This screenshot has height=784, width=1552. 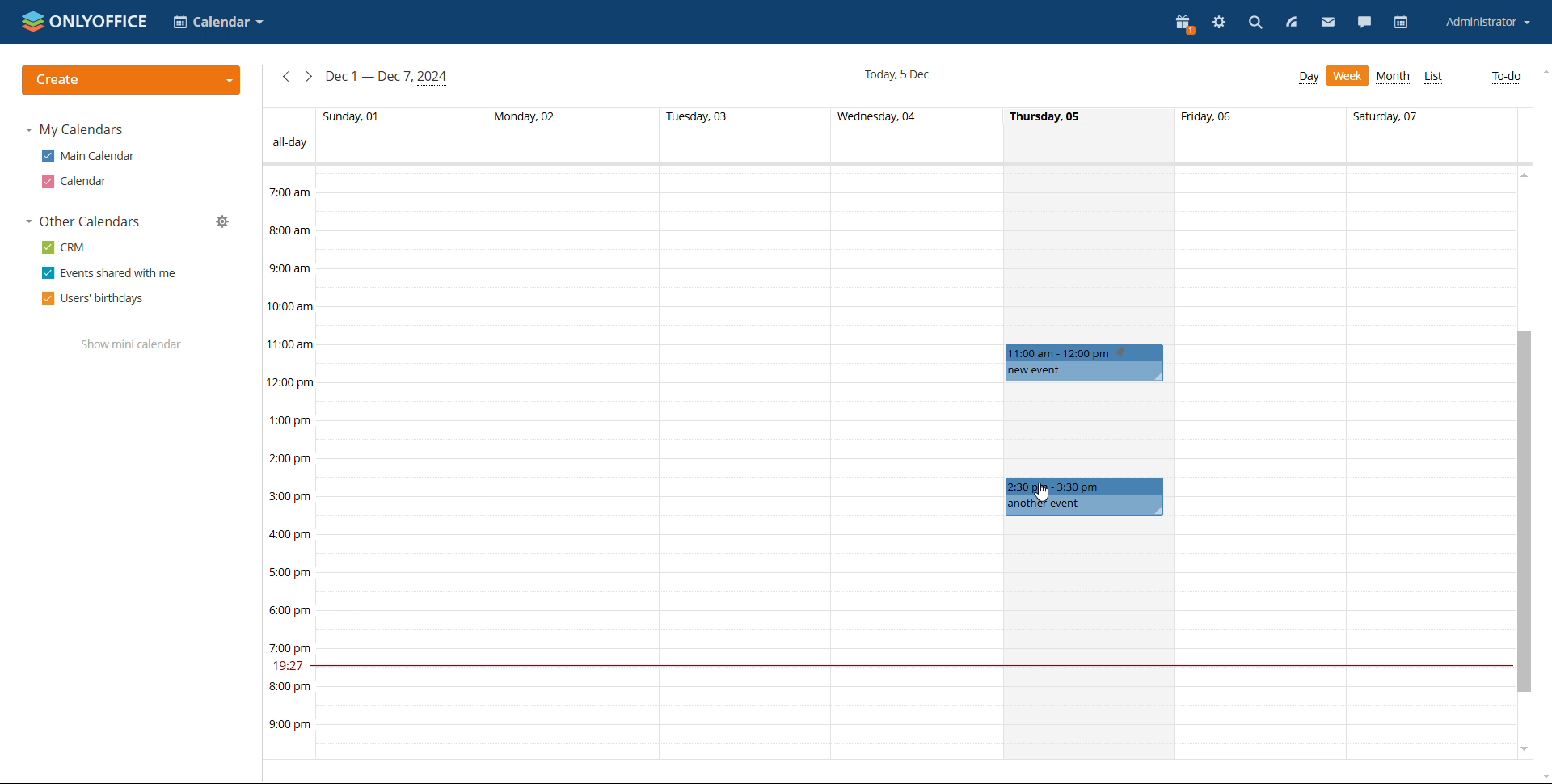 I want to click on feed, so click(x=1290, y=23).